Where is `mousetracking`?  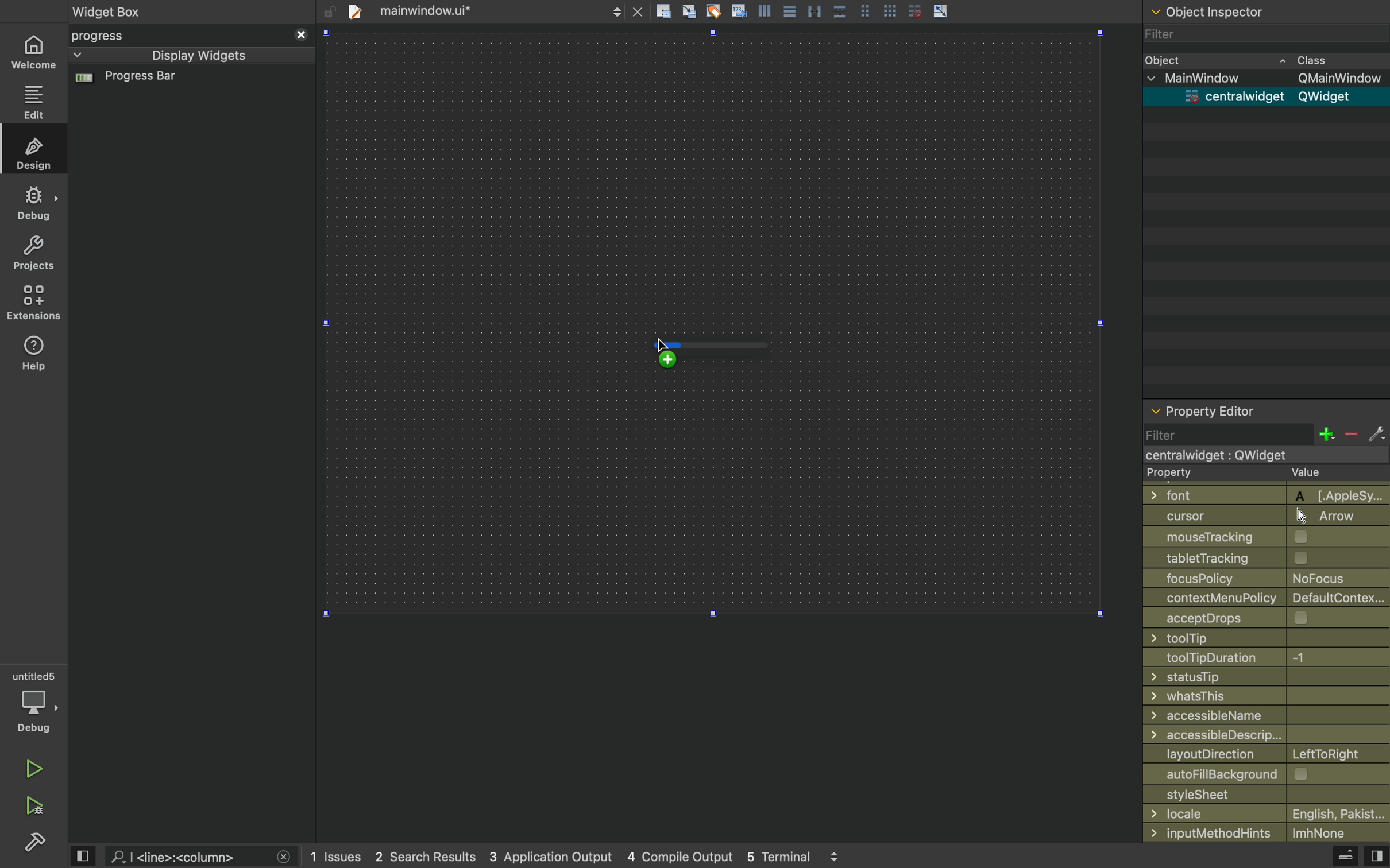 mousetracking is located at coordinates (1262, 537).